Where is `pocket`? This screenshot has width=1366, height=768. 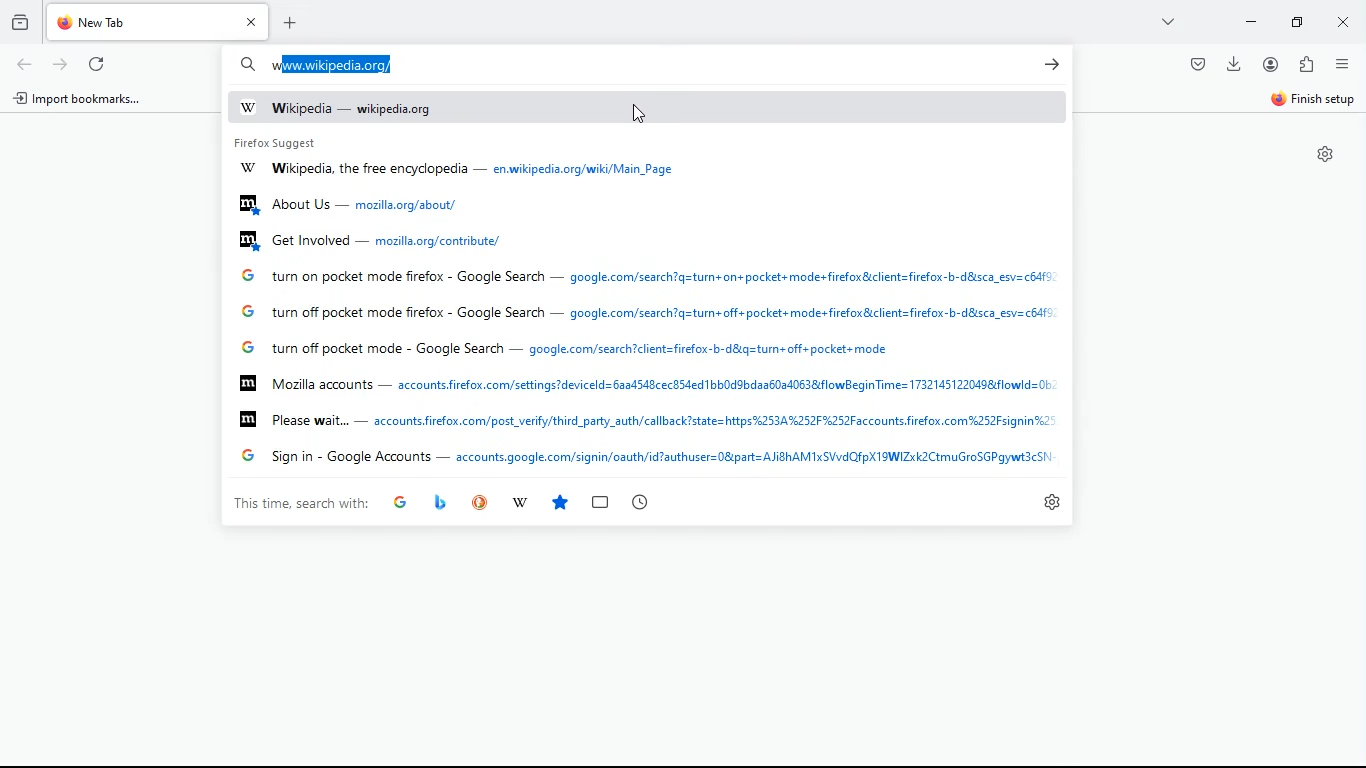
pocket is located at coordinates (1196, 64).